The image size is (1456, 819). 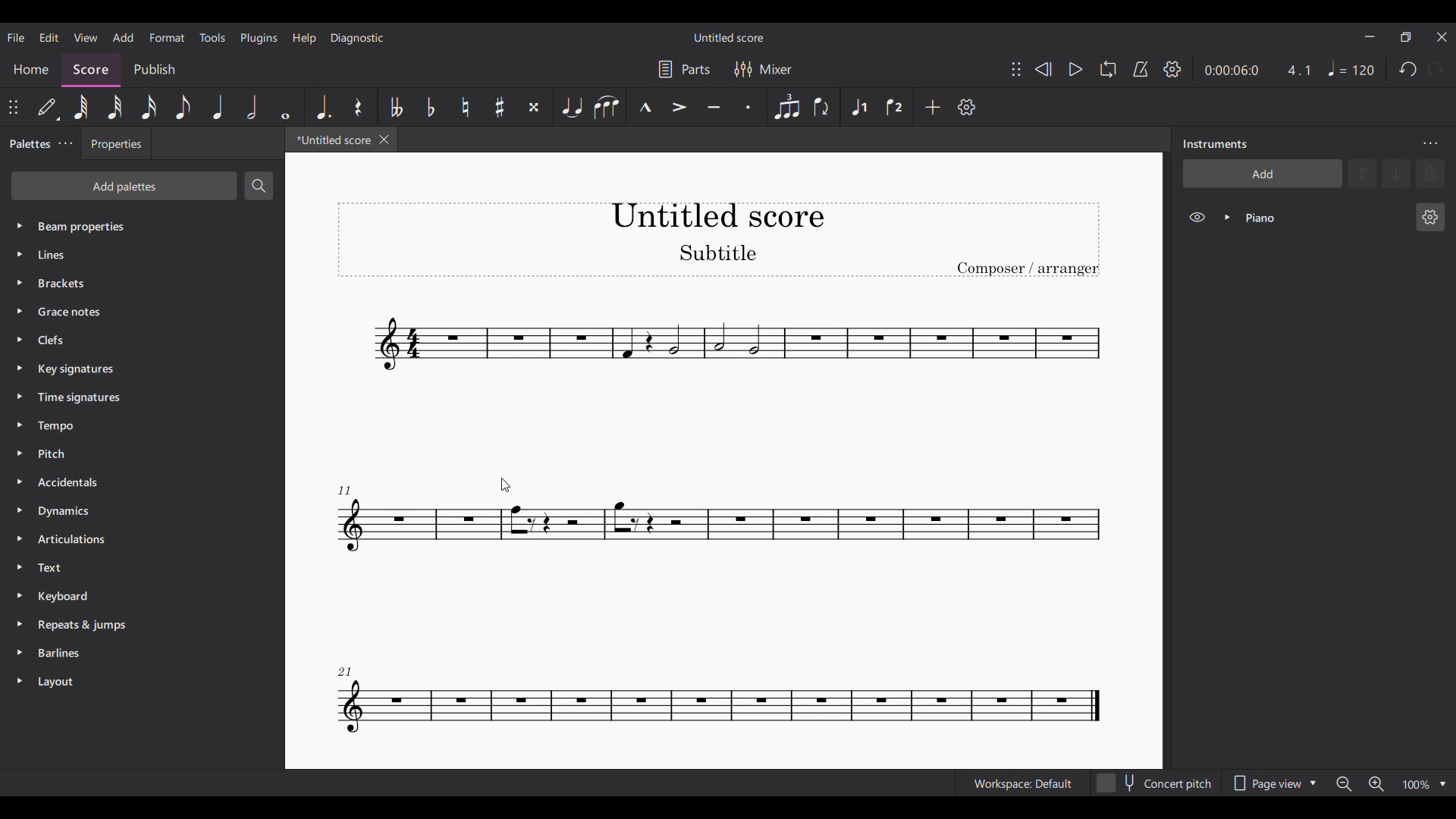 What do you see at coordinates (723, 525) in the screenshot?
I see `Current score` at bounding box center [723, 525].